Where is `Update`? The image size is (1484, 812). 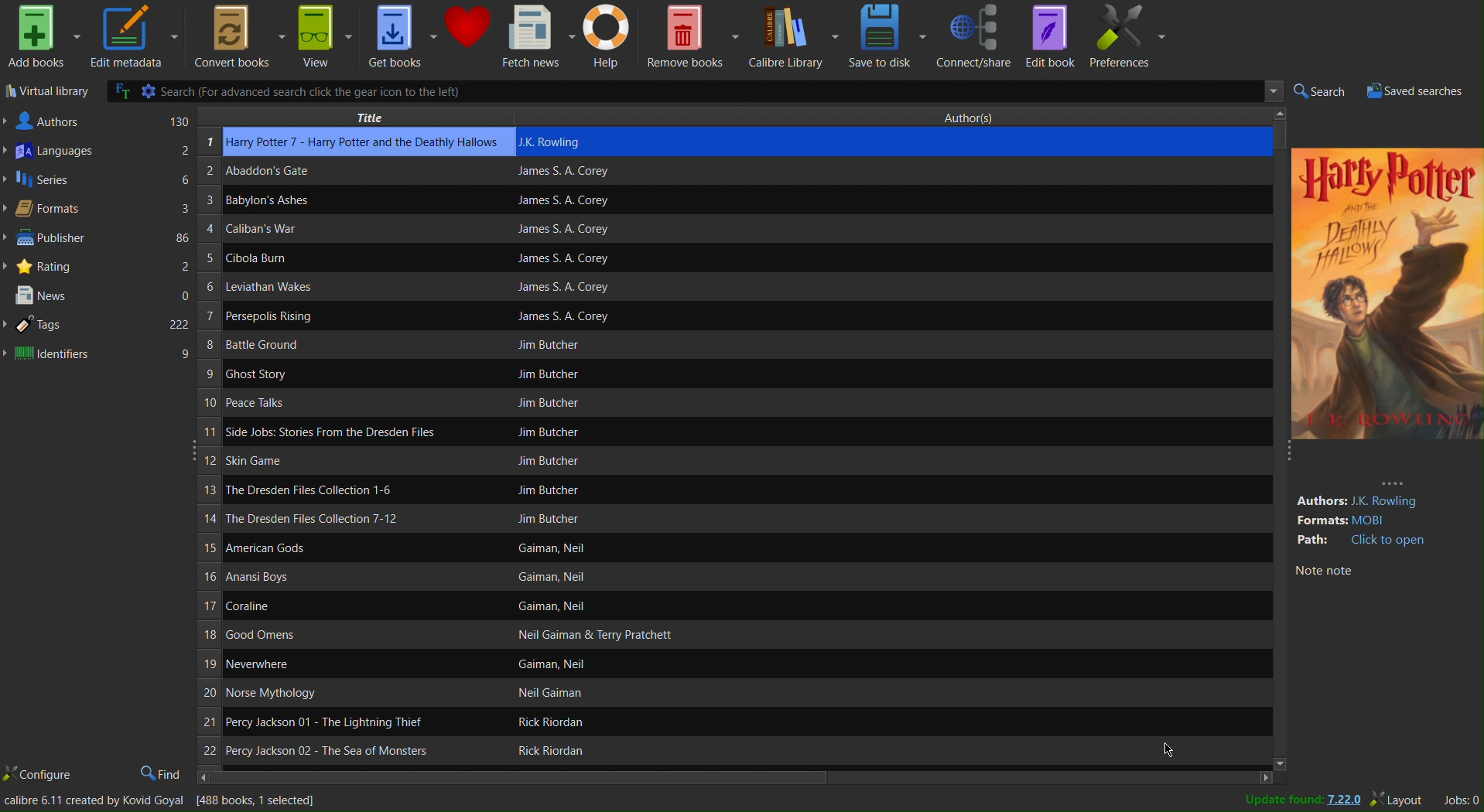 Update is located at coordinates (1296, 800).